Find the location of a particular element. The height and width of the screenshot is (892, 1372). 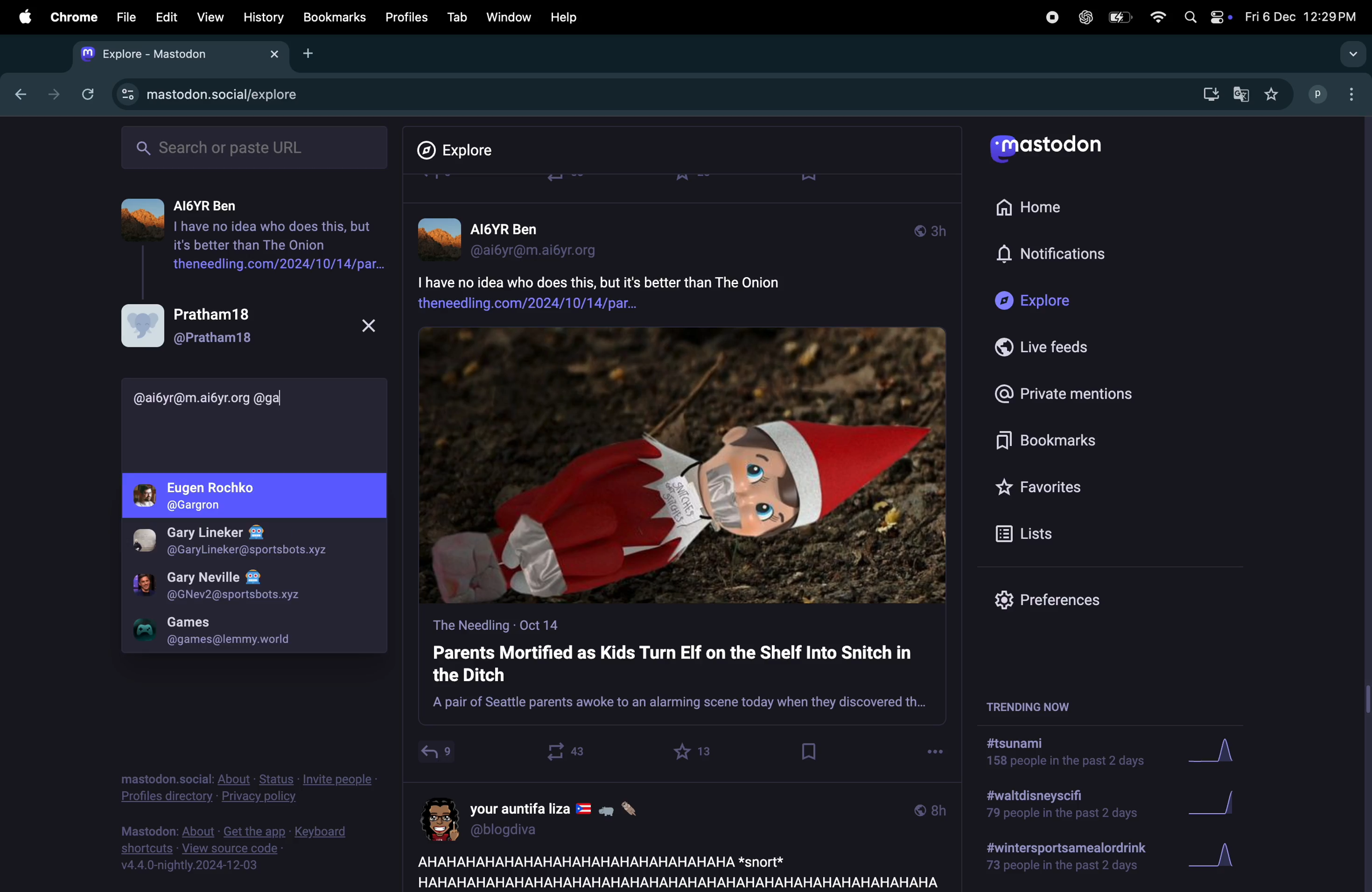

file is located at coordinates (126, 17).